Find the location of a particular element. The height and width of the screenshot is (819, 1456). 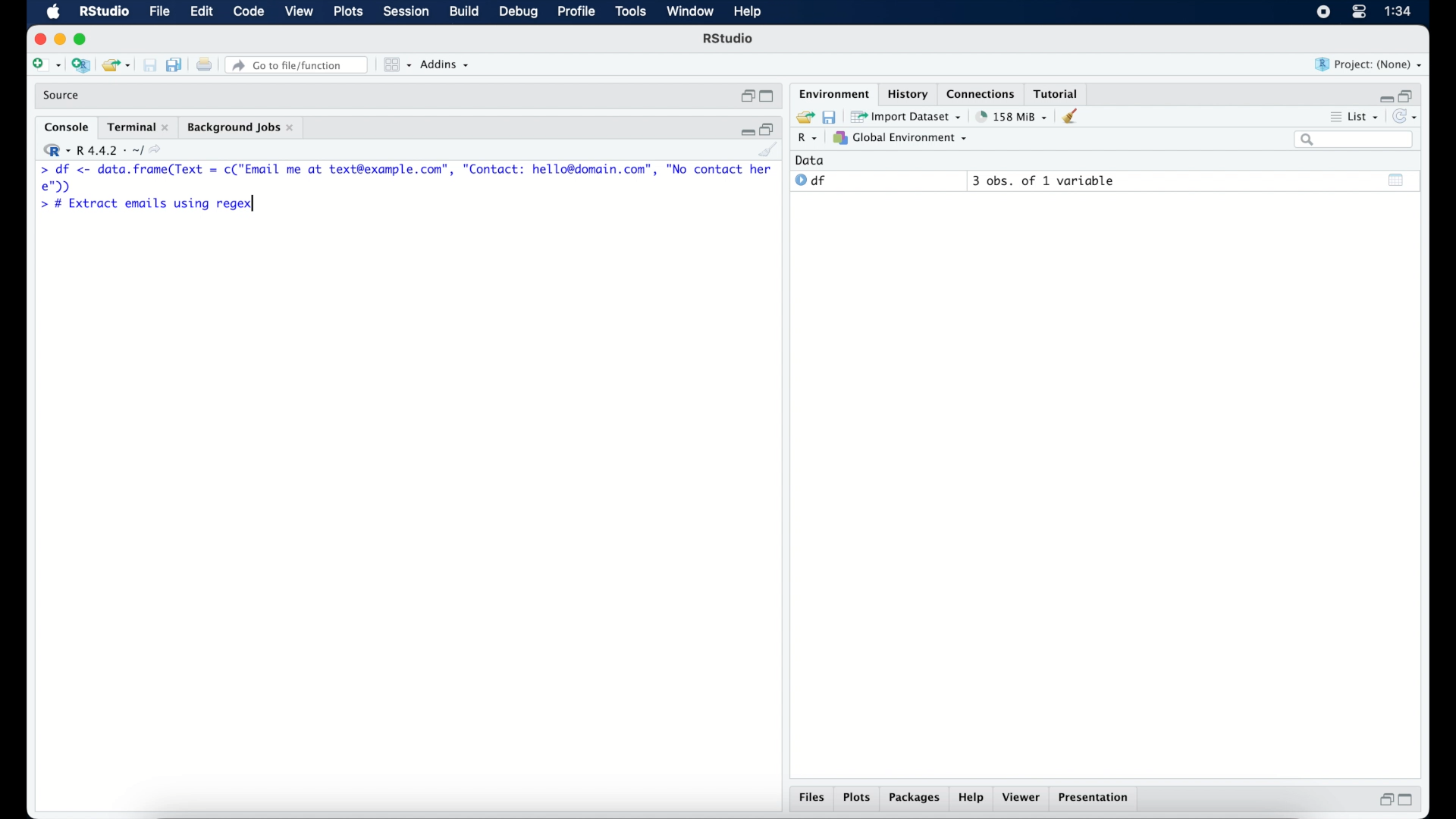

help is located at coordinates (748, 12).